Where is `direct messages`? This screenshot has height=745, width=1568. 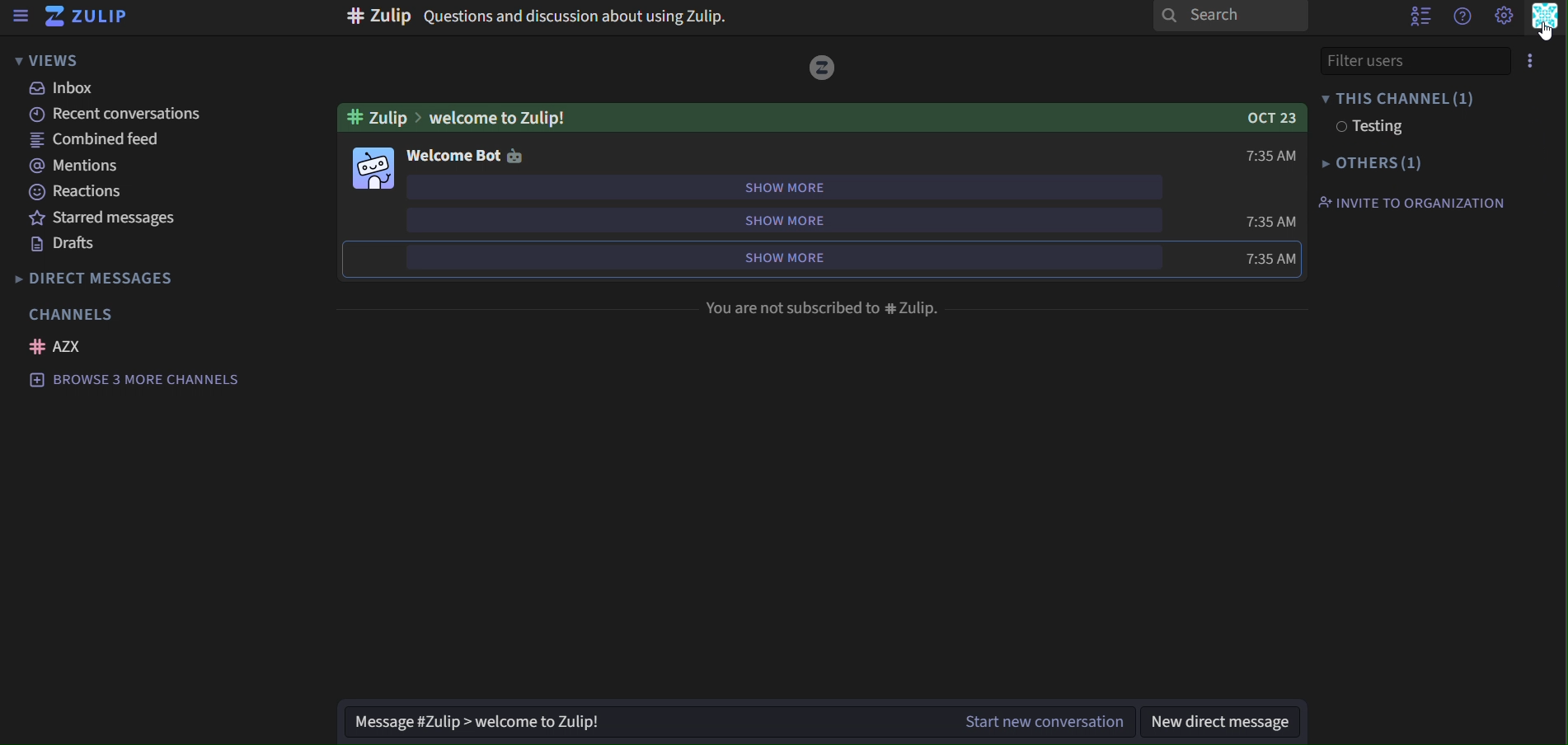 direct messages is located at coordinates (107, 277).